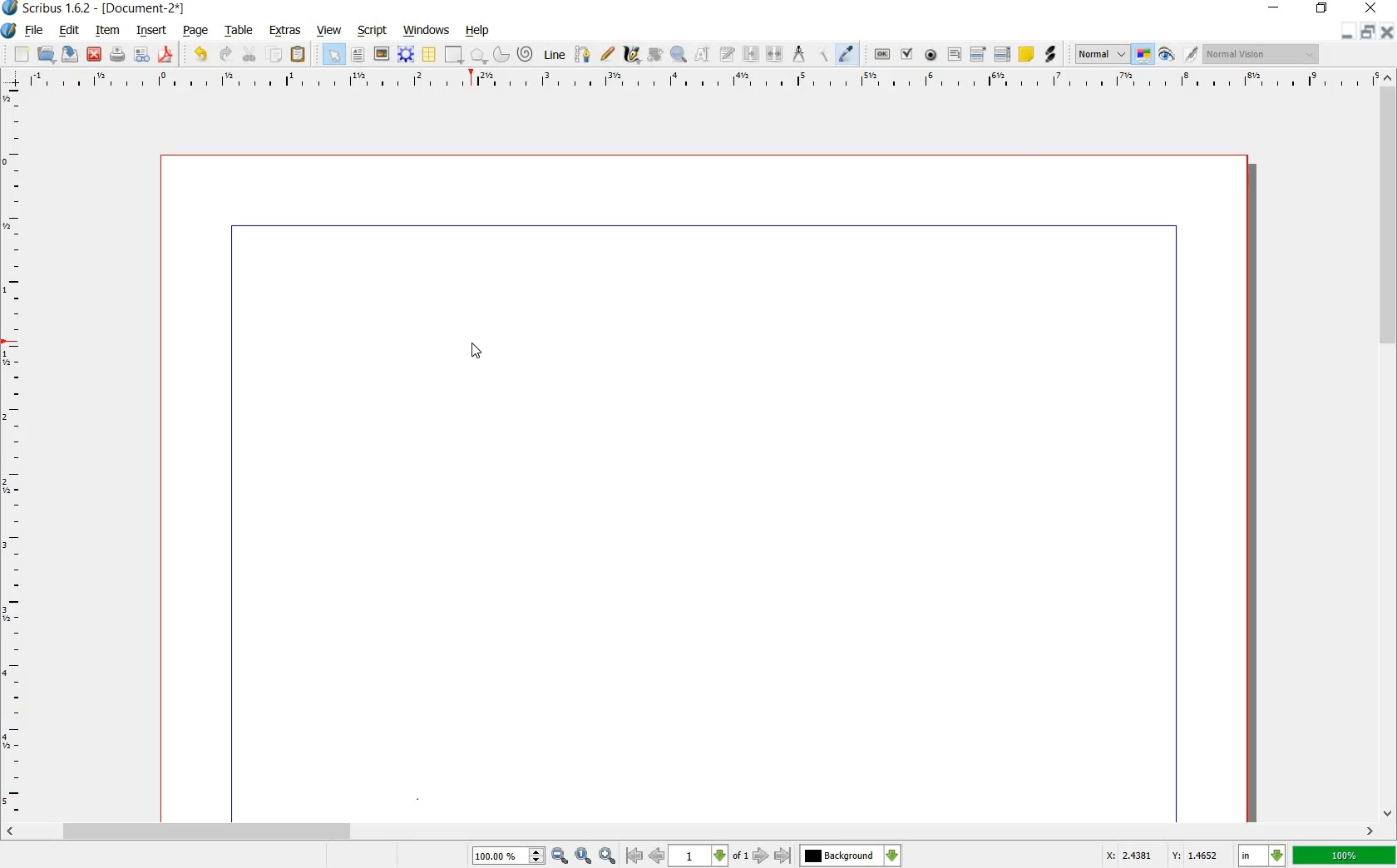  Describe the element at coordinates (634, 856) in the screenshot. I see `go to first page` at that location.